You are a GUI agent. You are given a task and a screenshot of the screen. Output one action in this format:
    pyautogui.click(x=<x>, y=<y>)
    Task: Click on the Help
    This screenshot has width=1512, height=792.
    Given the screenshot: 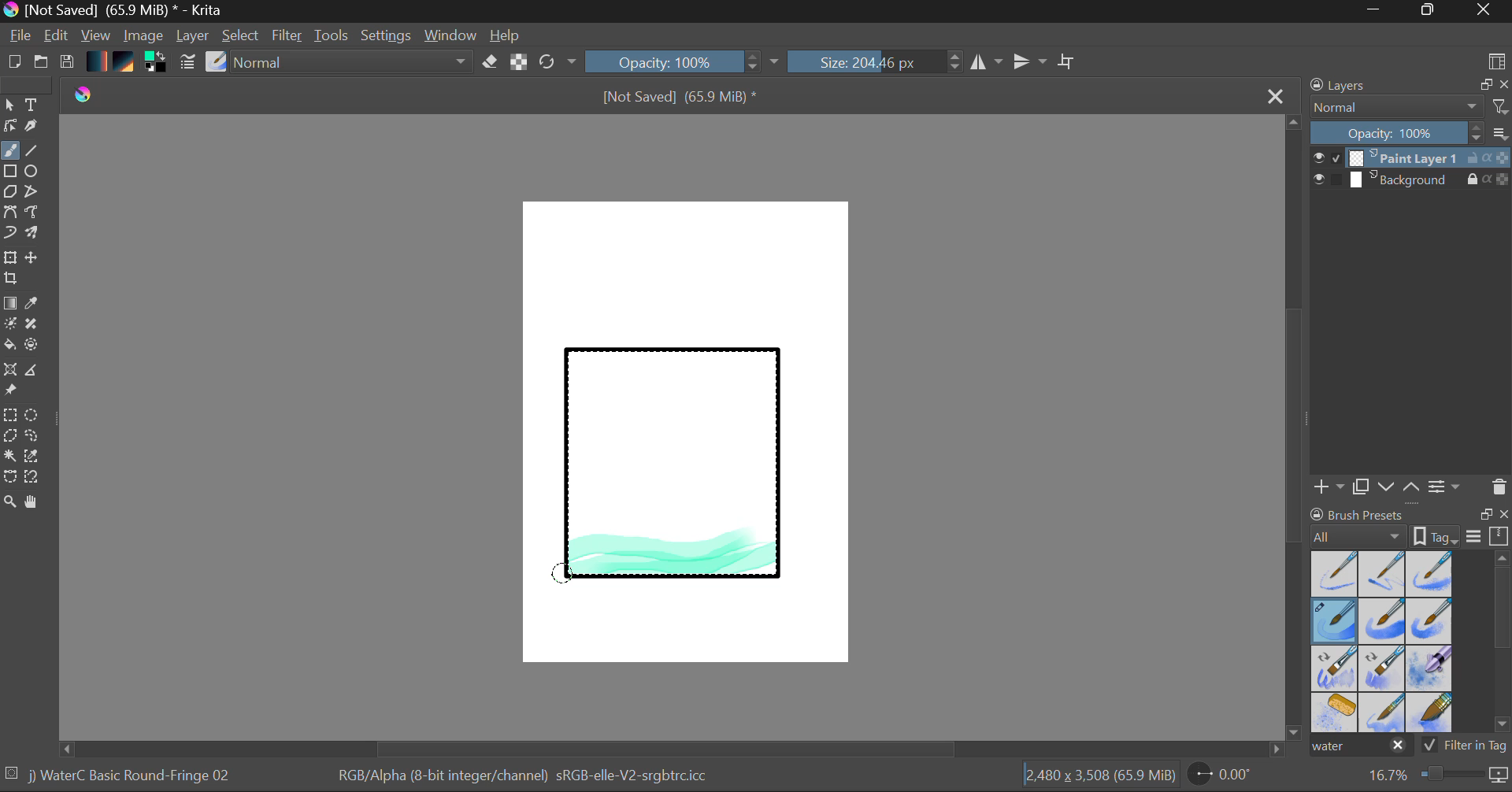 What is the action you would take?
    pyautogui.click(x=506, y=35)
    